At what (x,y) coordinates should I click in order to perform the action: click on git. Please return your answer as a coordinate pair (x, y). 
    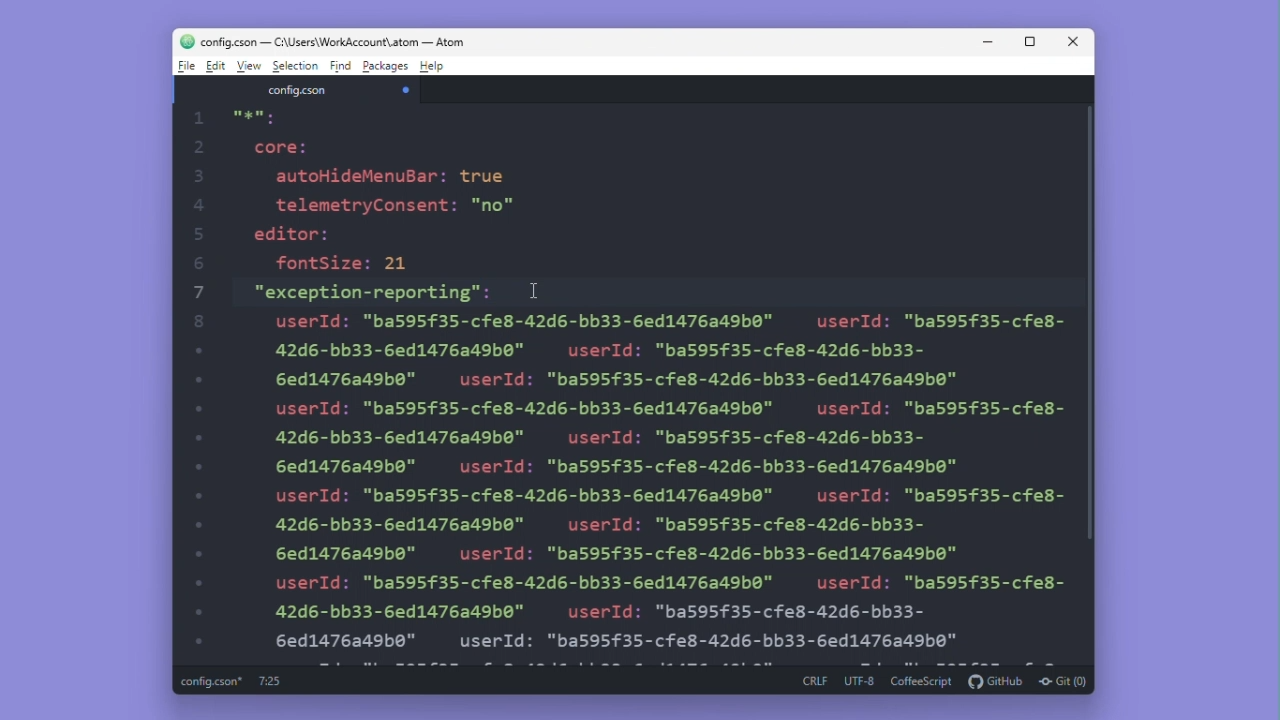
    Looking at the image, I should click on (1064, 680).